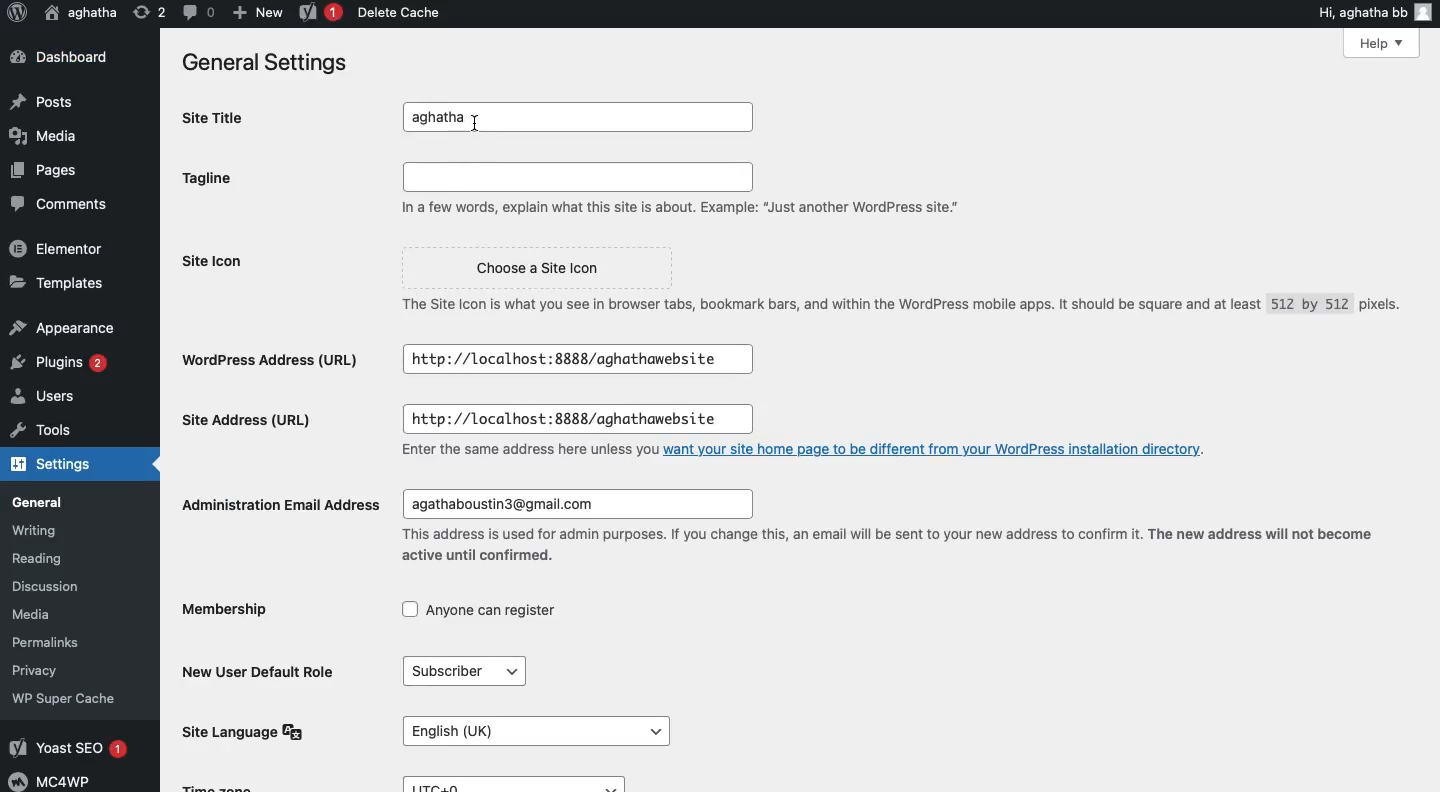 This screenshot has height=792, width=1440. What do you see at coordinates (195, 14) in the screenshot?
I see `Comment` at bounding box center [195, 14].